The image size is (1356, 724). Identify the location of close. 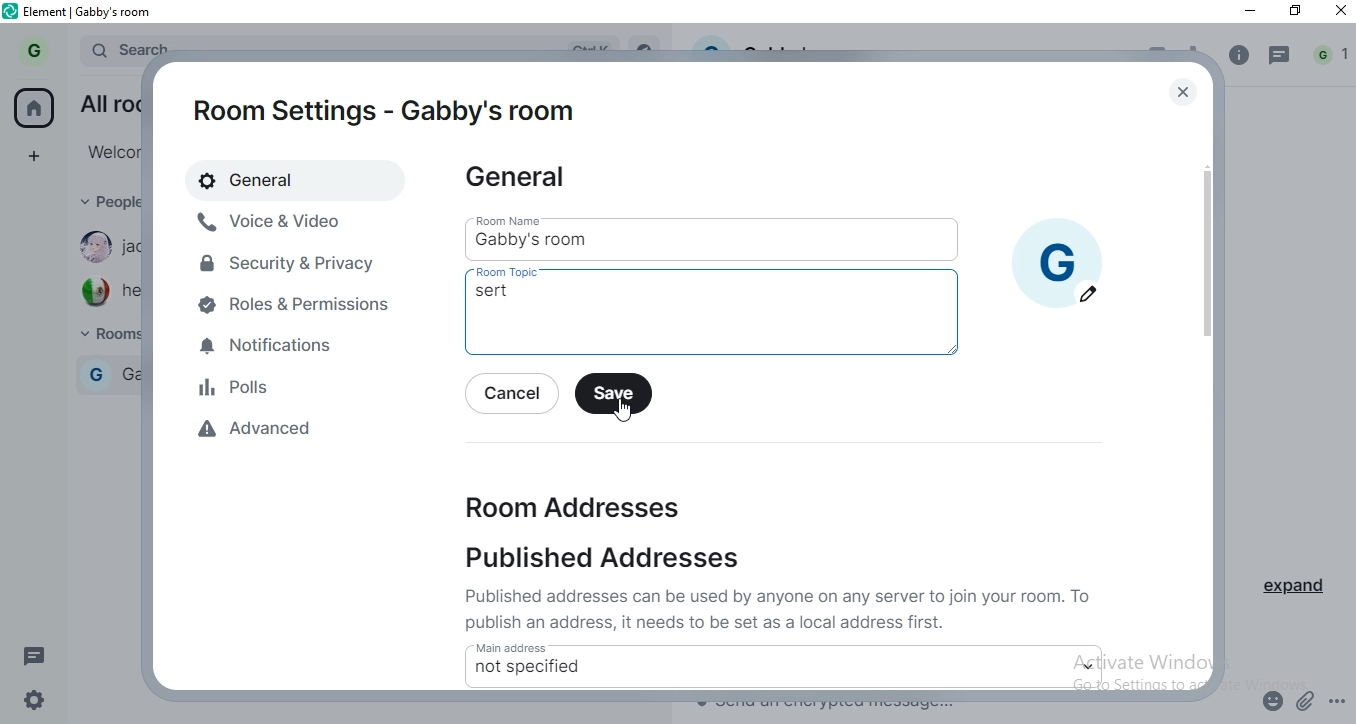
(1186, 92).